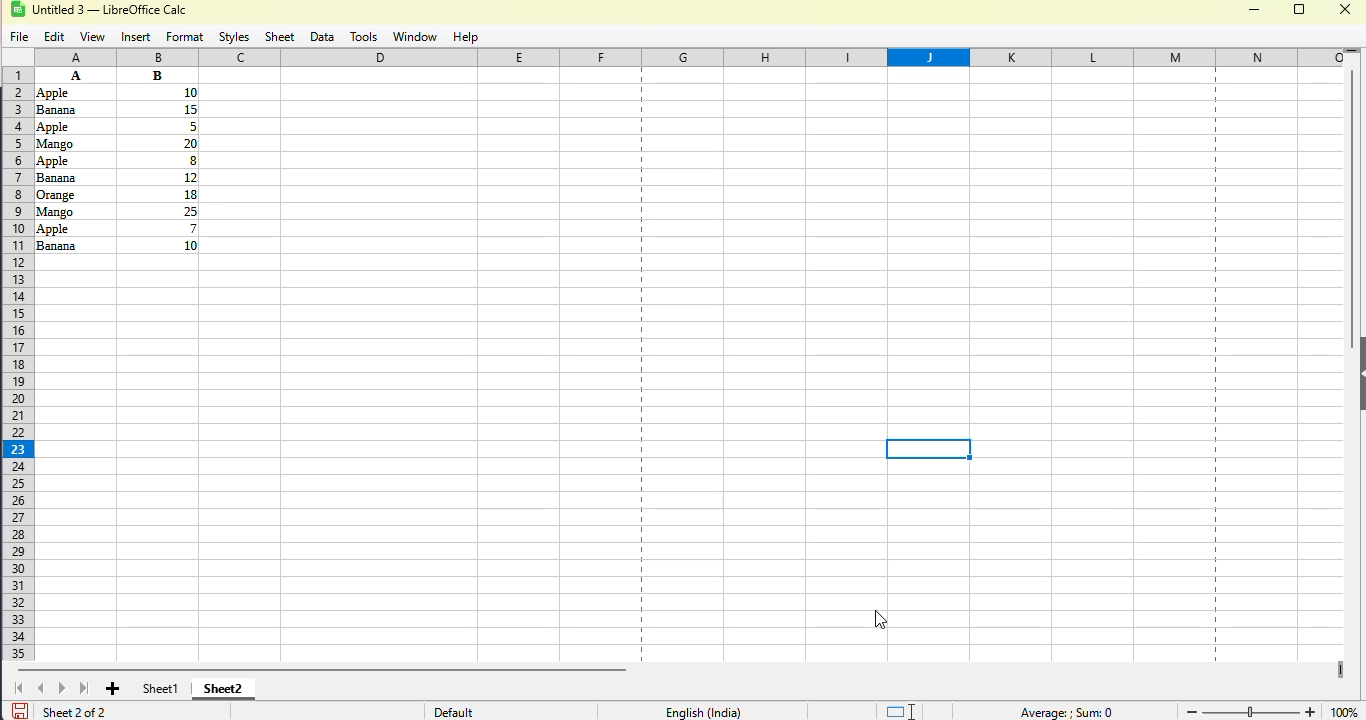 The width and height of the screenshot is (1366, 720). Describe the element at coordinates (74, 194) in the screenshot. I see `` at that location.